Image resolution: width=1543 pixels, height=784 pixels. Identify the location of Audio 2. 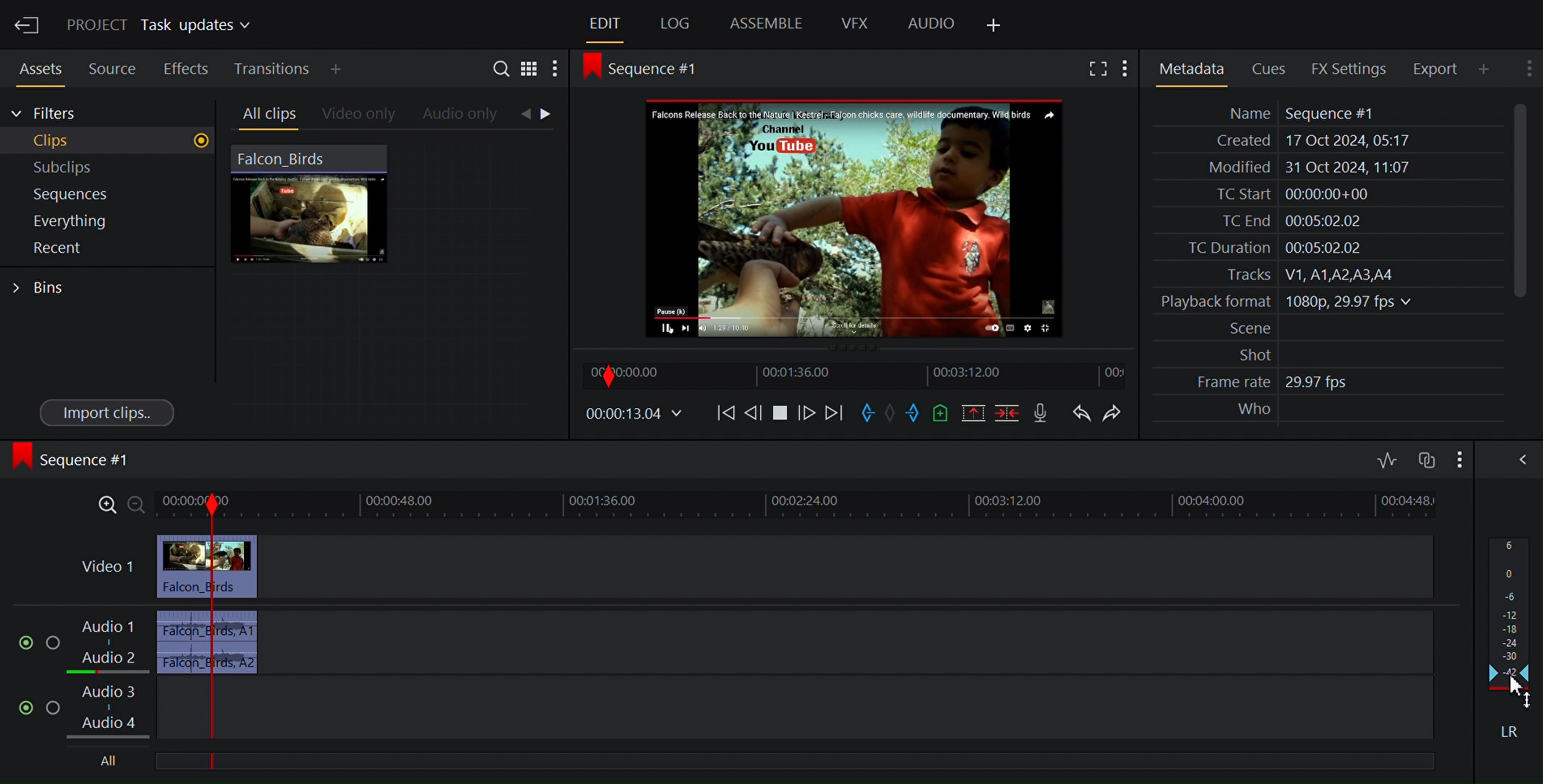
(106, 660).